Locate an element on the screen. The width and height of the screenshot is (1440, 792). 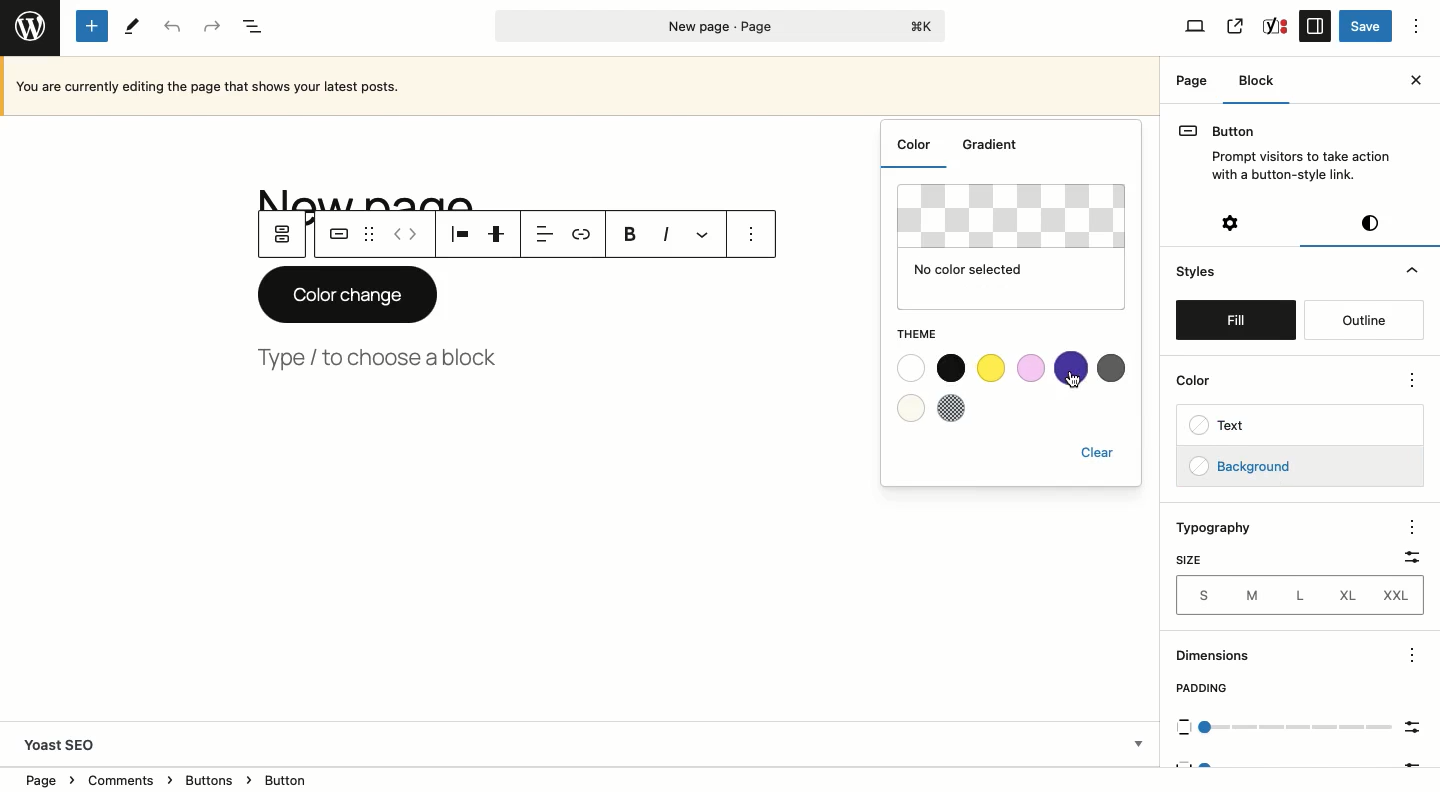
Visual editor is located at coordinates (1374, 221).